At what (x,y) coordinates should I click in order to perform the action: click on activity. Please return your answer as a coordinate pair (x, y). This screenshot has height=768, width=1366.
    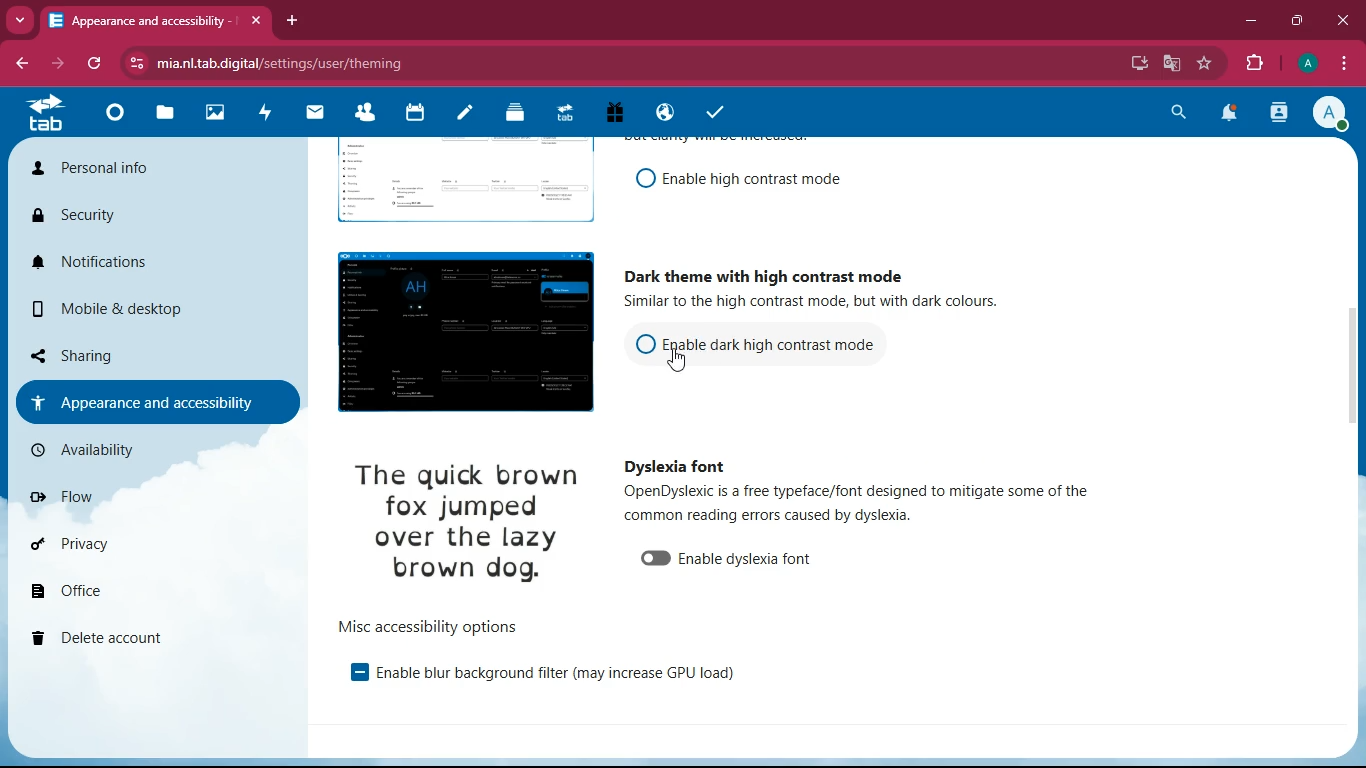
    Looking at the image, I should click on (270, 114).